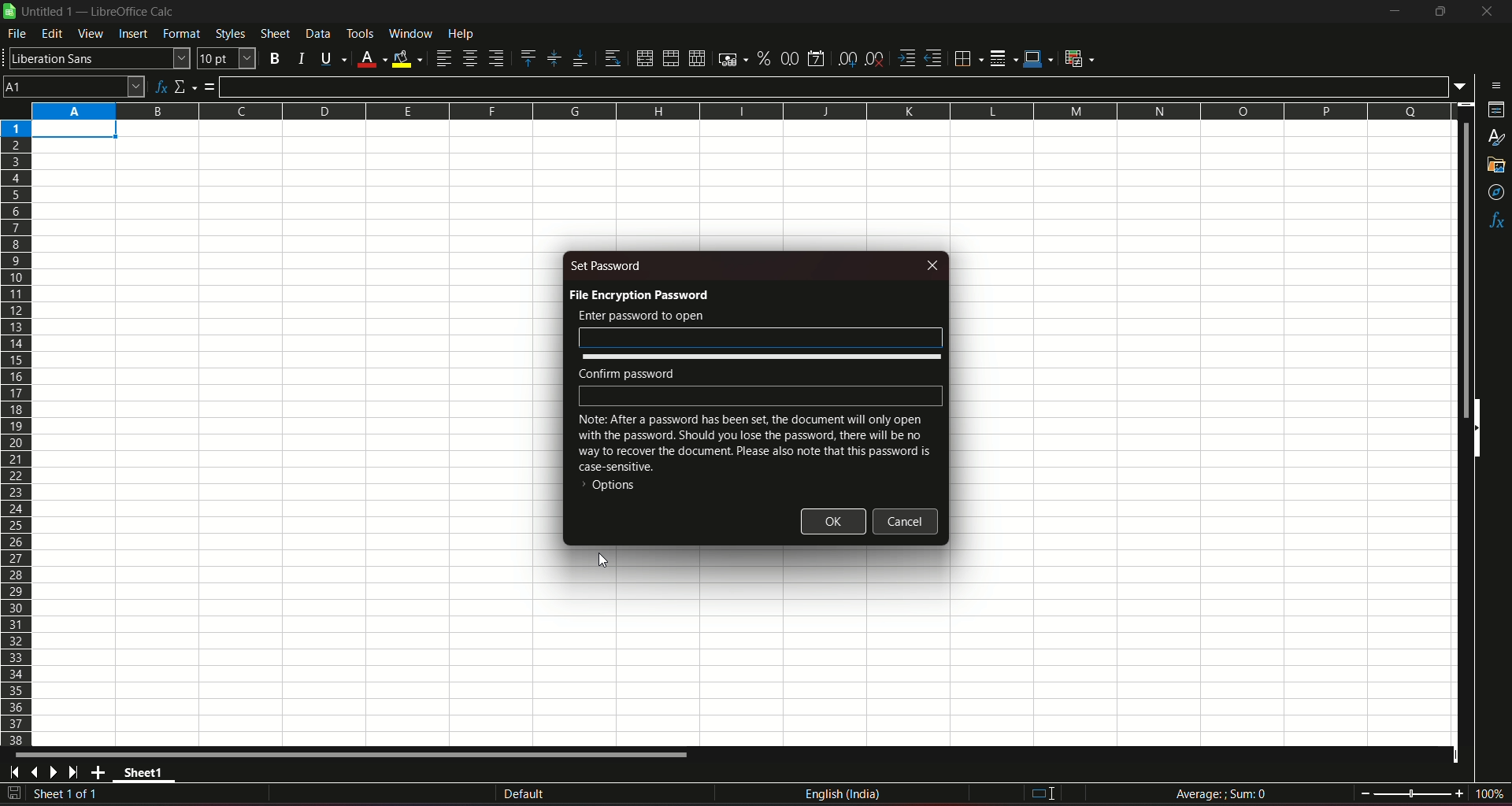 This screenshot has height=806, width=1512. What do you see at coordinates (1462, 87) in the screenshot?
I see `expand formula` at bounding box center [1462, 87].